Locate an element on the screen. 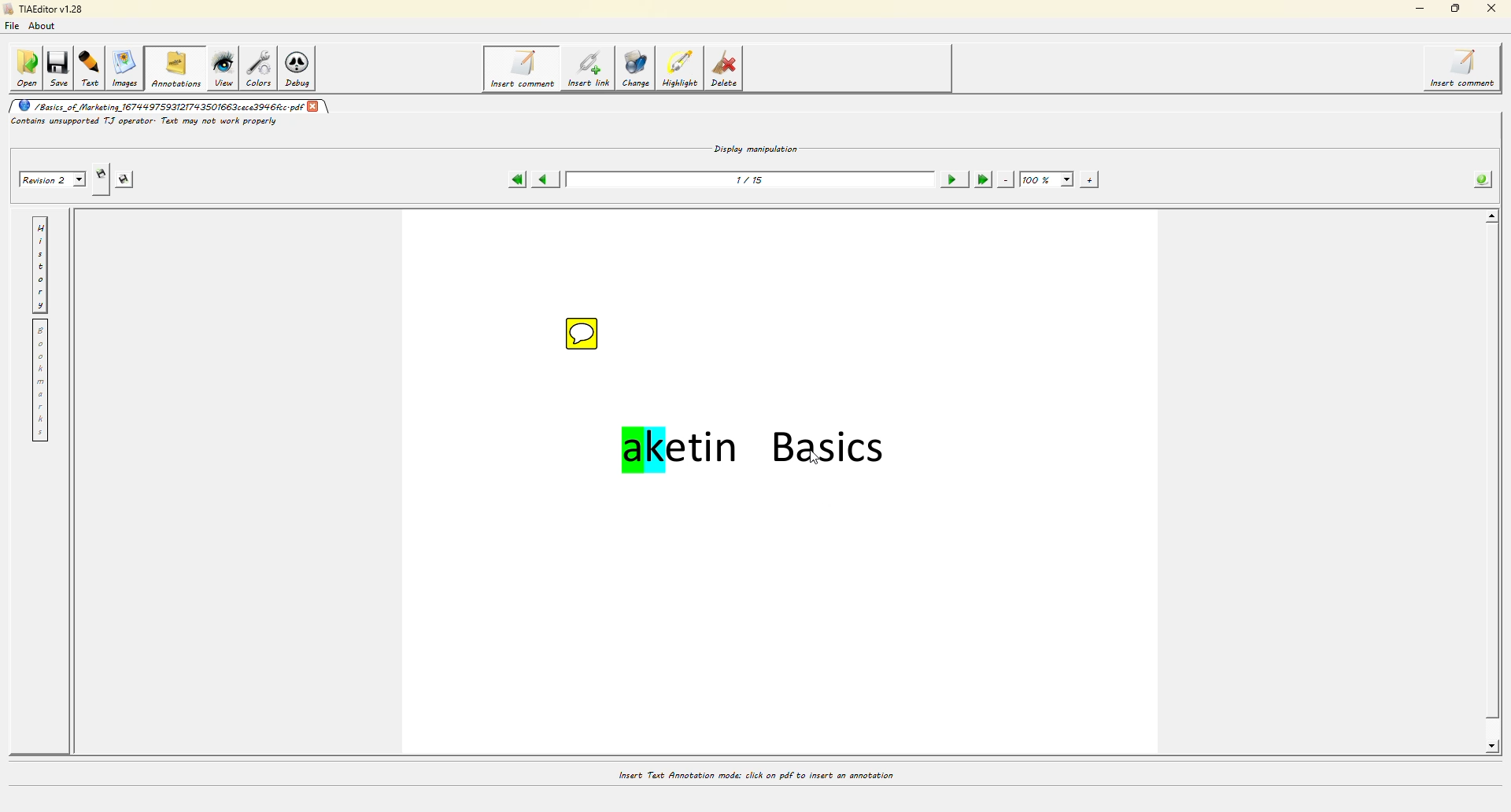 This screenshot has width=1511, height=812. last page is located at coordinates (981, 179).